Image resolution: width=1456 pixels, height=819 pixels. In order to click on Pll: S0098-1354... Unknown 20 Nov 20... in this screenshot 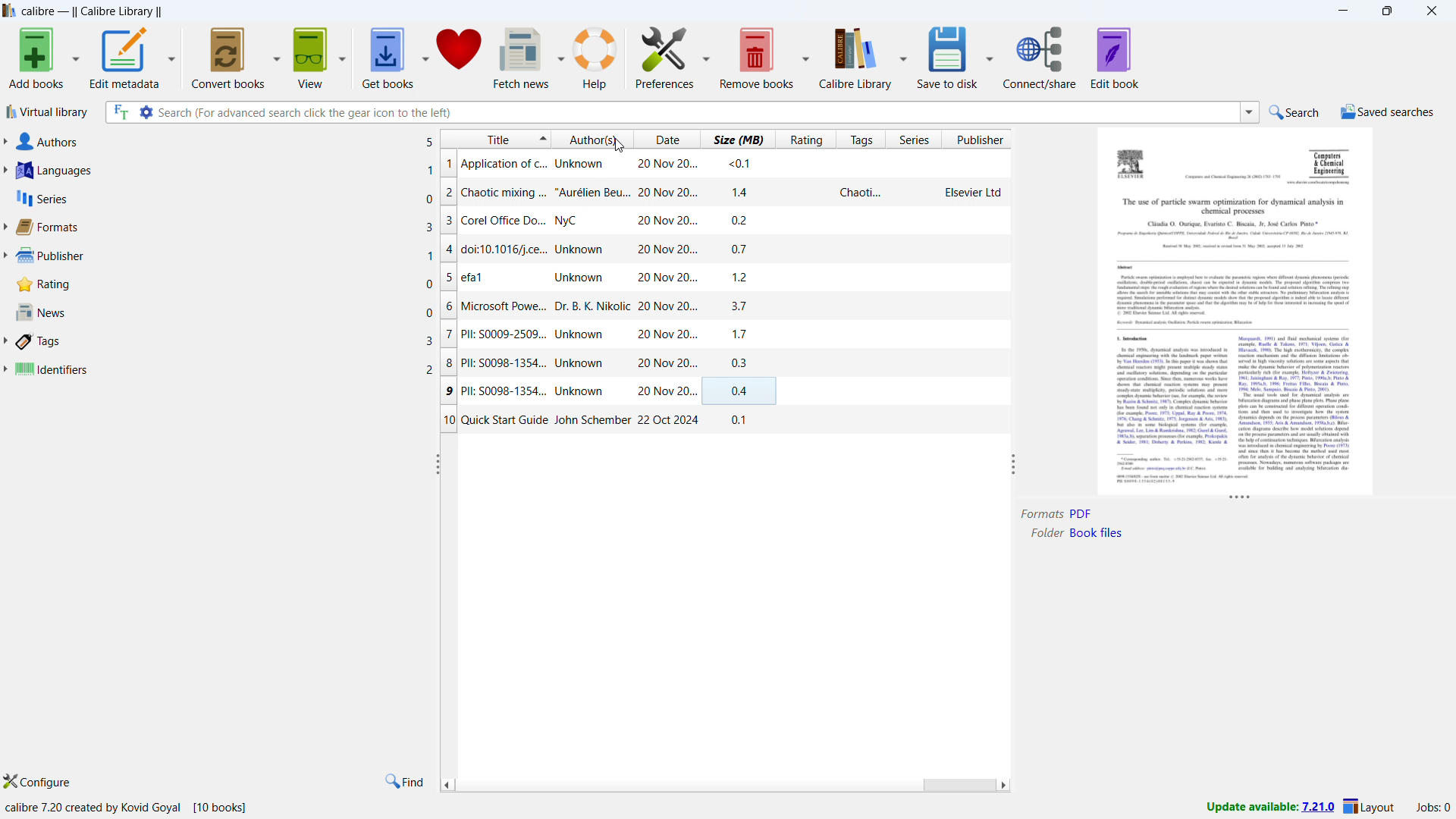, I will do `click(579, 391)`.